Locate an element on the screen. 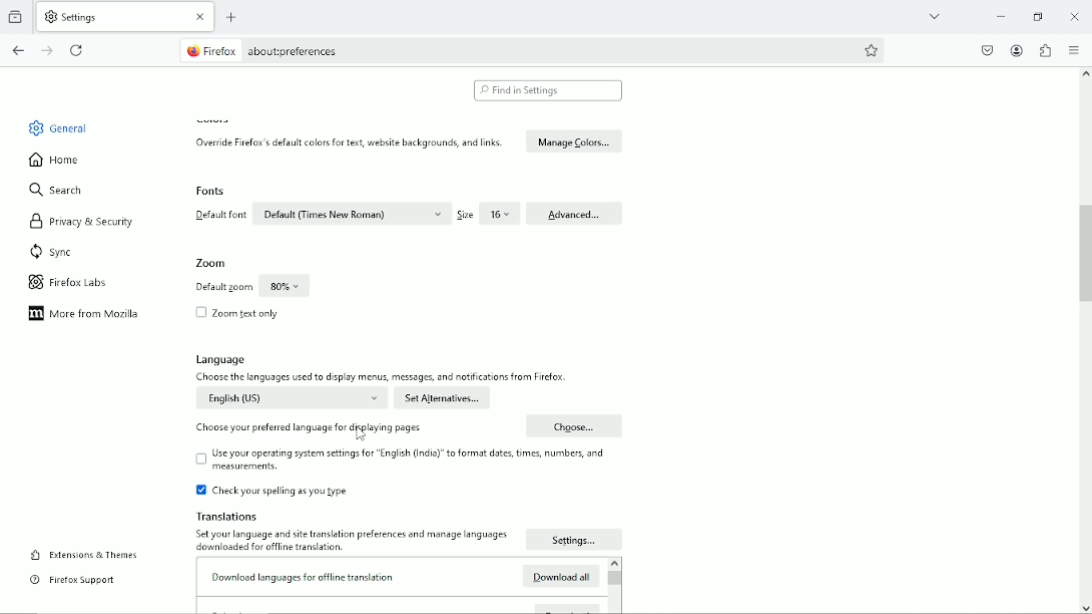 Image resolution: width=1092 pixels, height=614 pixels. Fonts is located at coordinates (210, 192).